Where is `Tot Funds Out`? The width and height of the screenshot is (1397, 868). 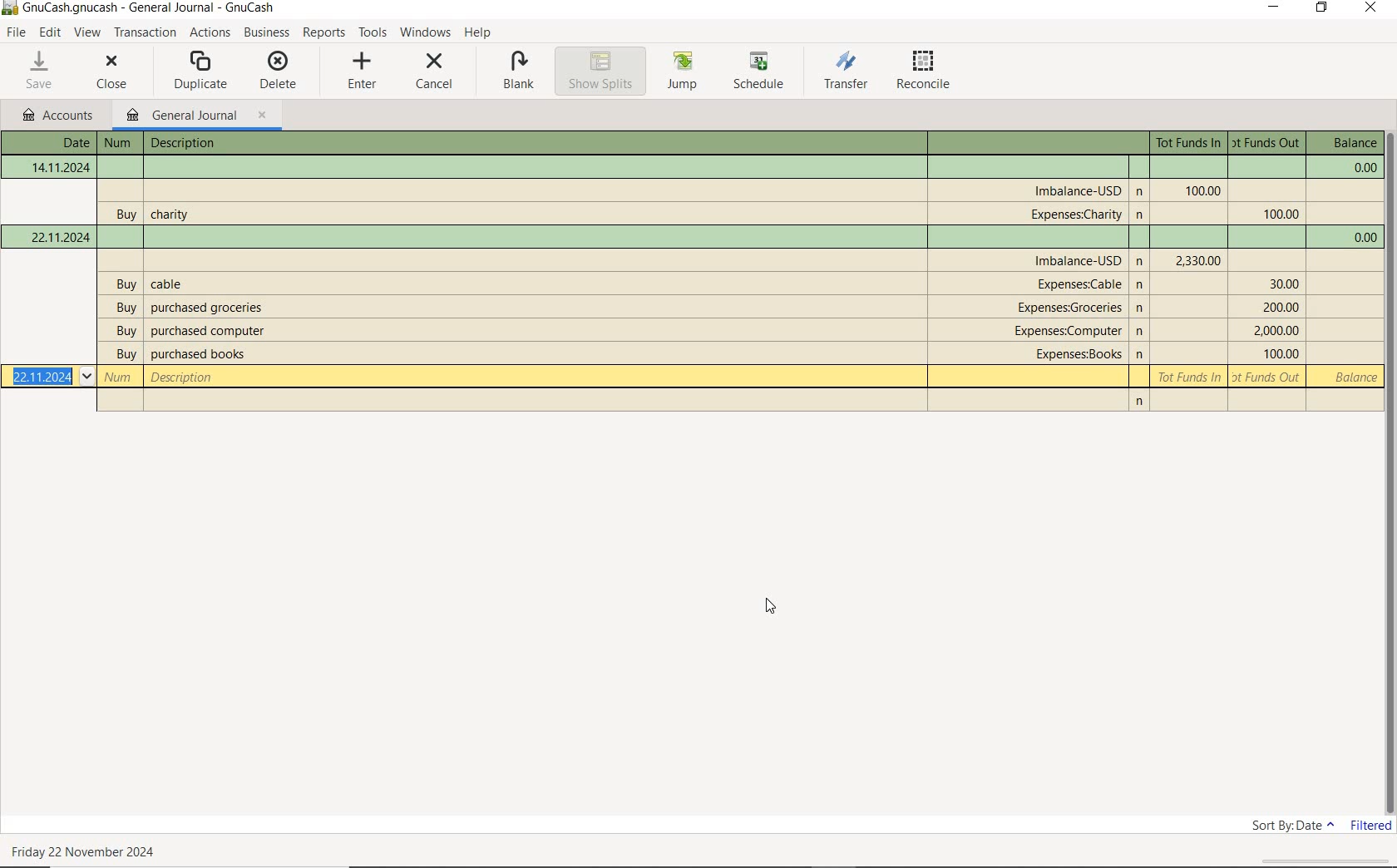 Tot Funds Out is located at coordinates (1267, 143).